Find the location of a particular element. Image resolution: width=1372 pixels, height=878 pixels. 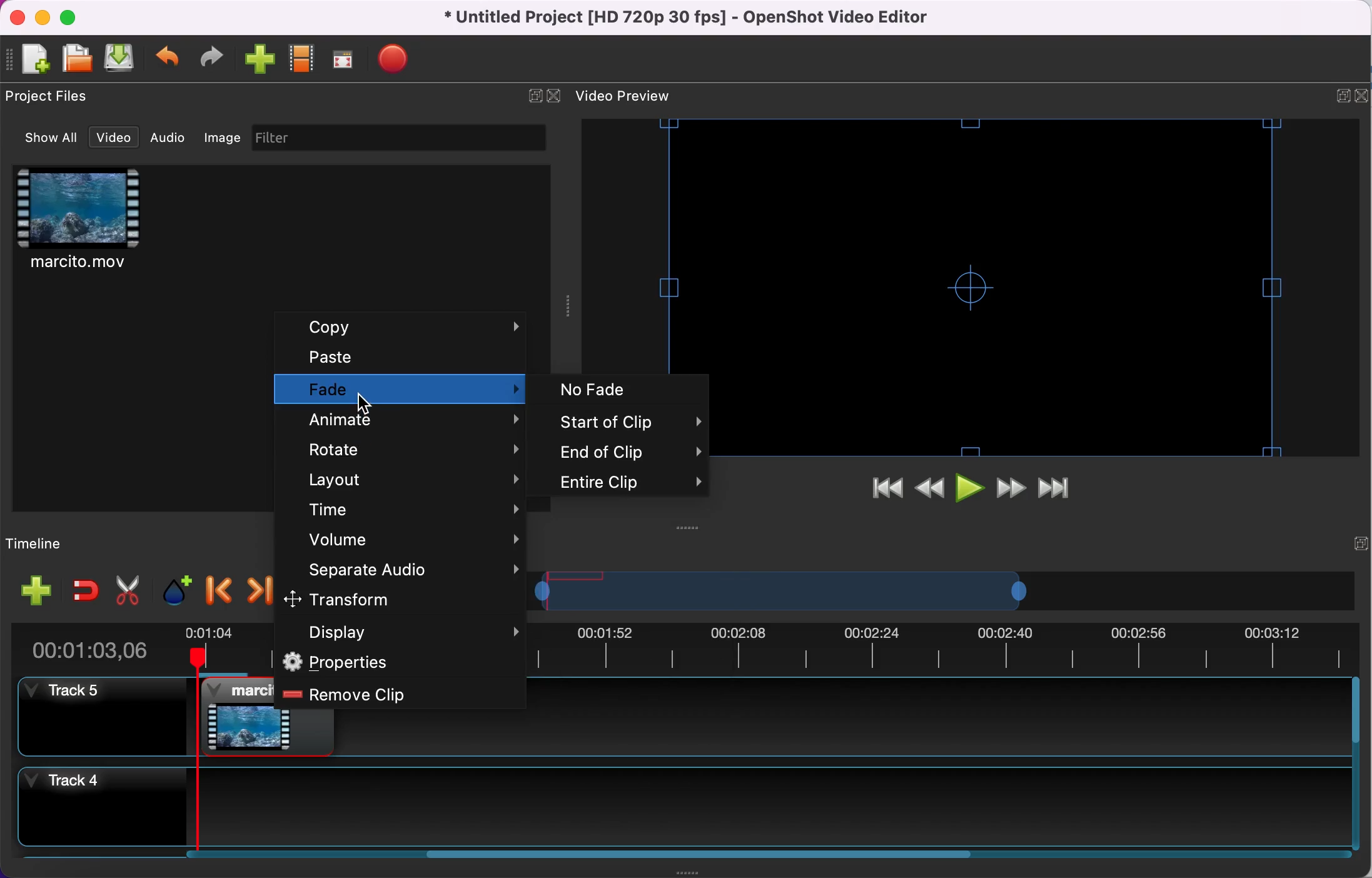

full screen is located at coordinates (344, 59).